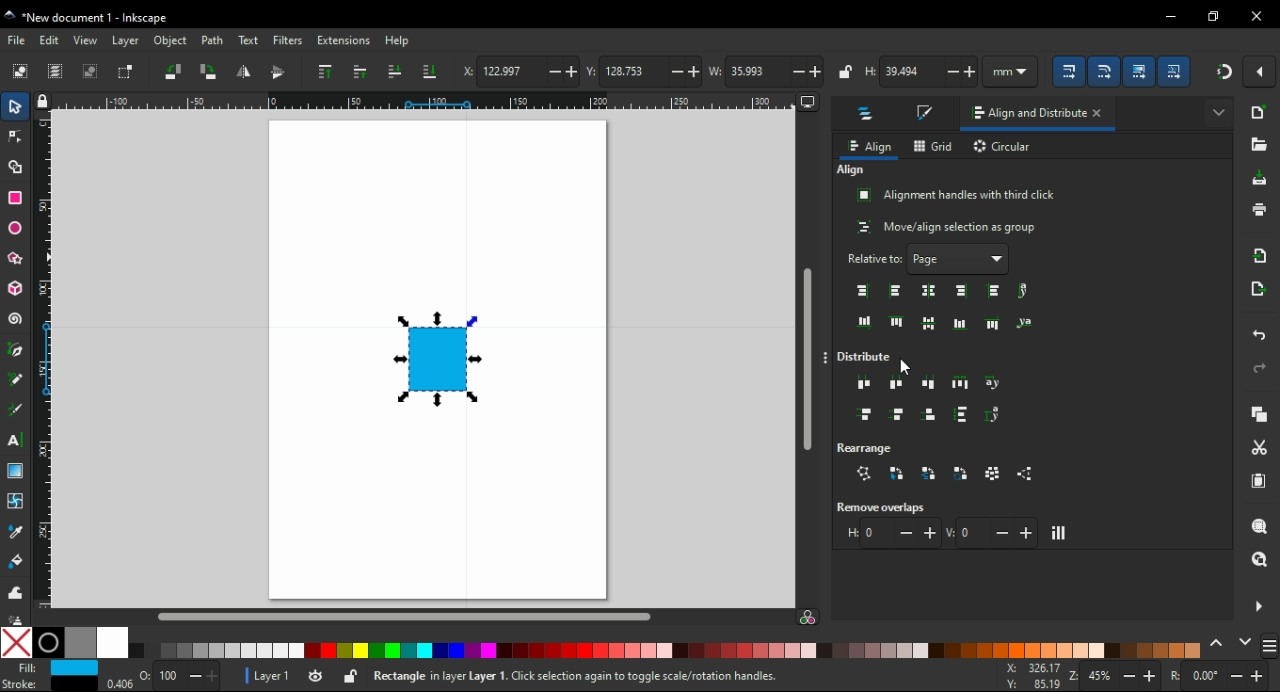 This screenshot has width=1280, height=692. What do you see at coordinates (1017, 71) in the screenshot?
I see `units` at bounding box center [1017, 71].